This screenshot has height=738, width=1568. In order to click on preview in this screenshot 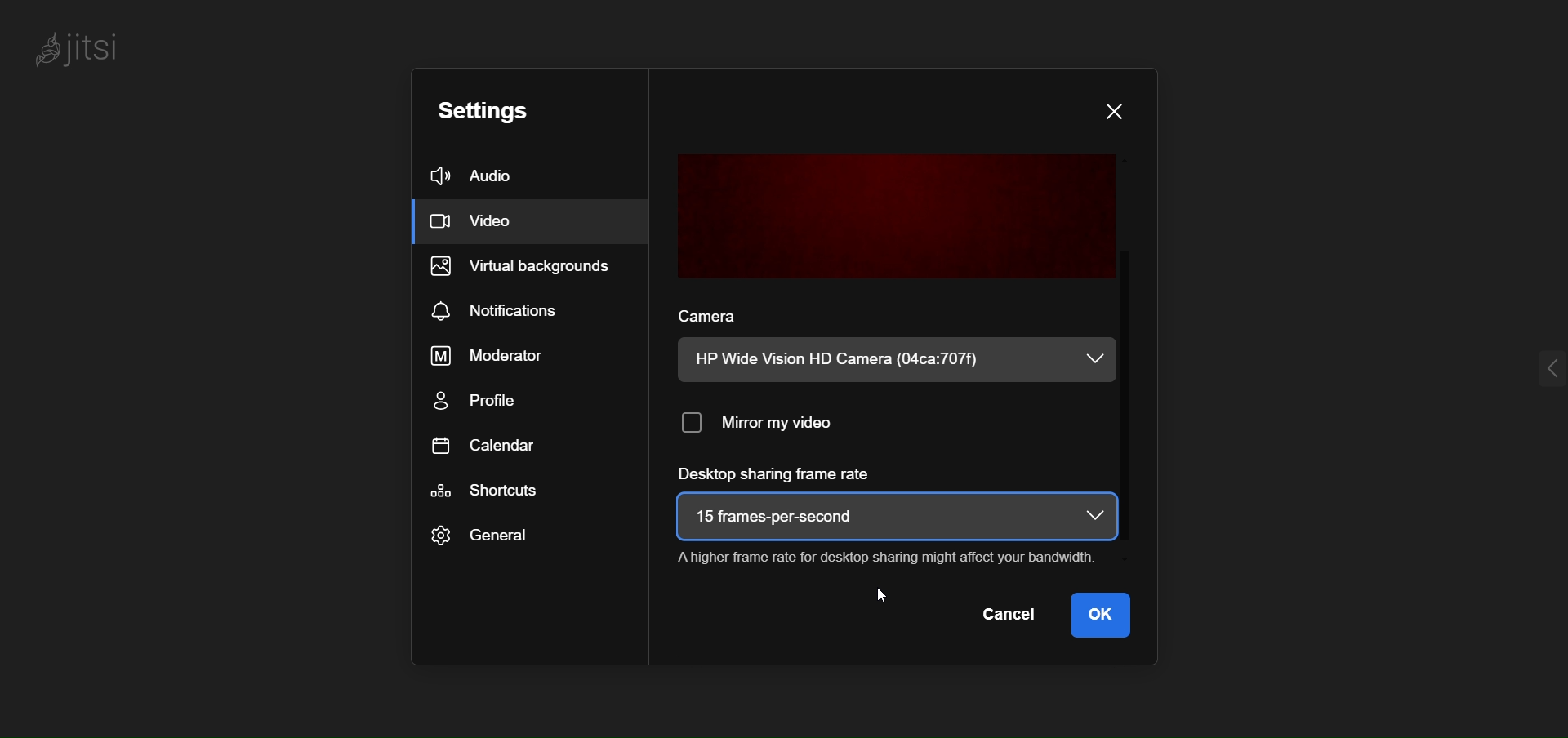, I will do `click(895, 214)`.